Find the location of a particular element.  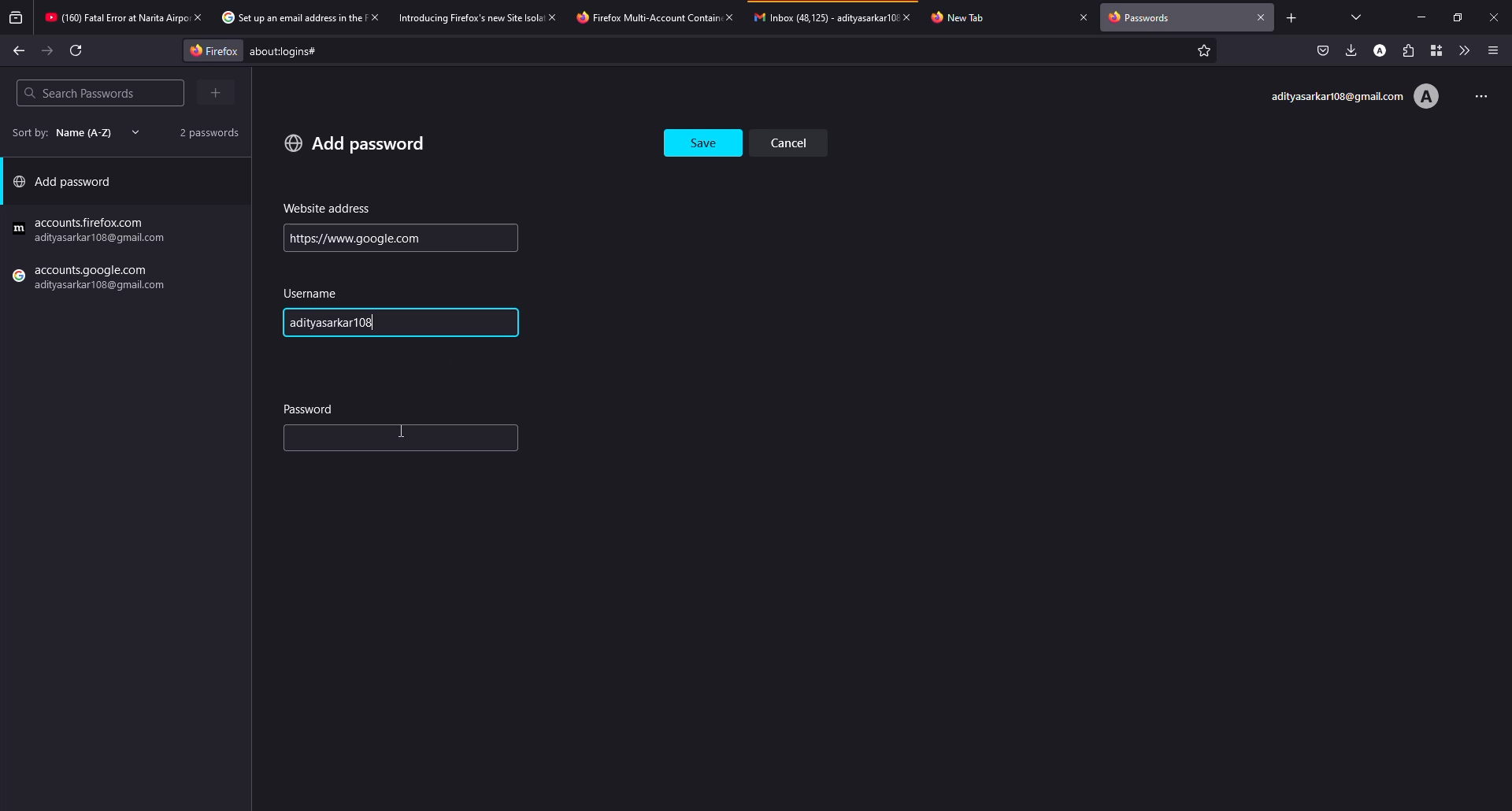

close is located at coordinates (373, 17).